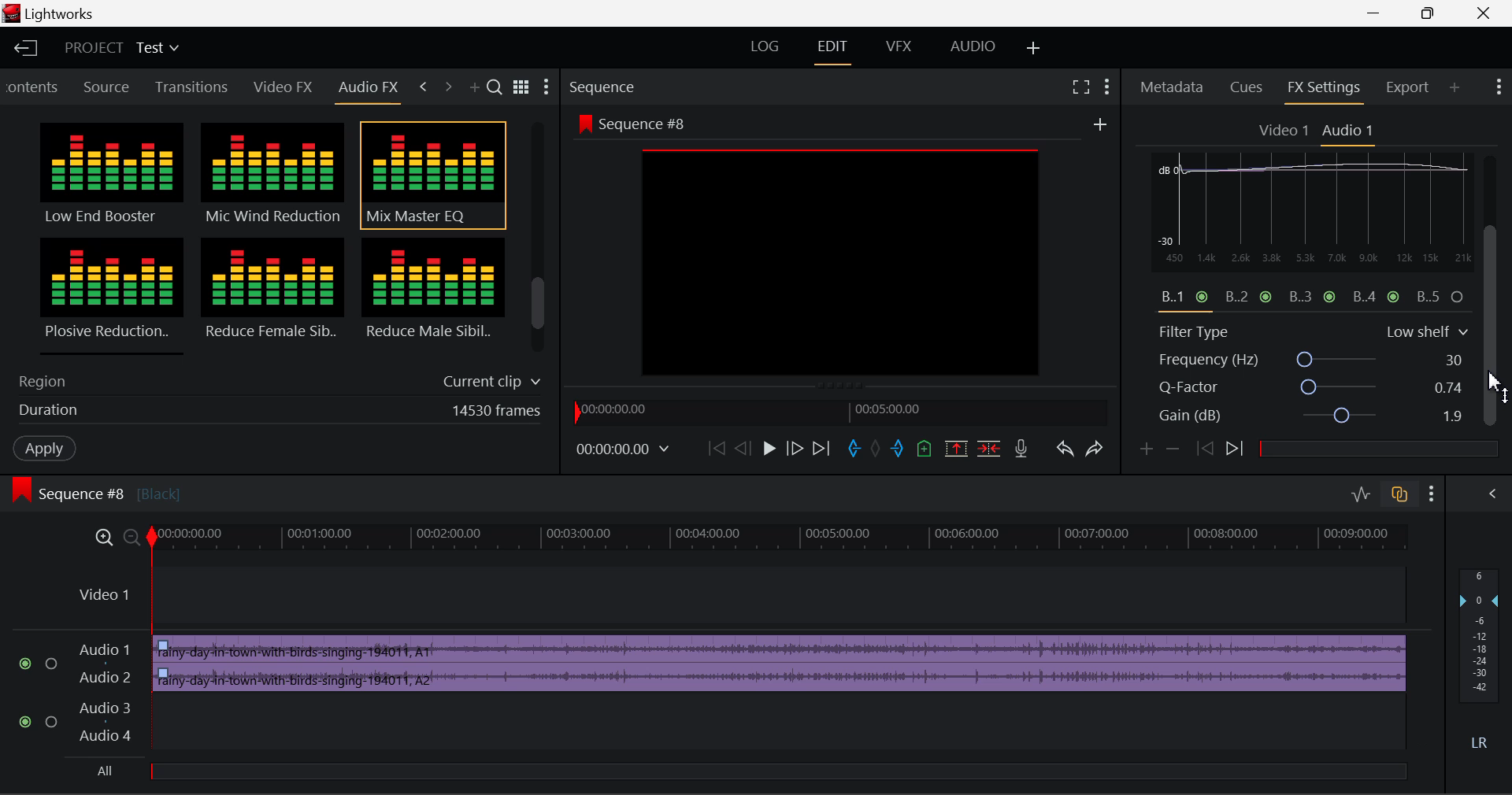 This screenshot has width=1512, height=795. What do you see at coordinates (1325, 91) in the screenshot?
I see `FX Settings Open` at bounding box center [1325, 91].